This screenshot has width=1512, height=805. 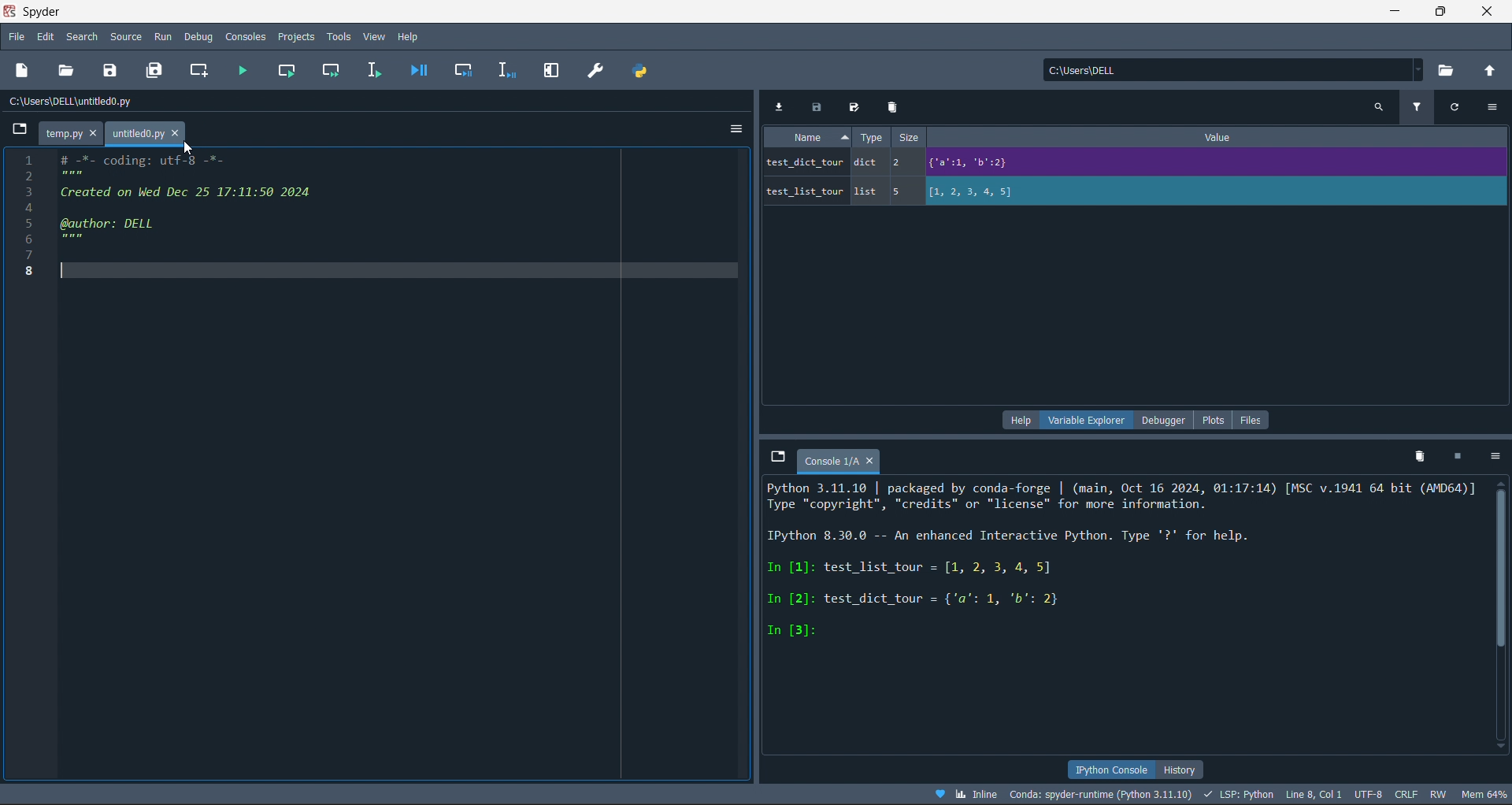 I want to click on Name a Type Size Value, so click(x=1021, y=139).